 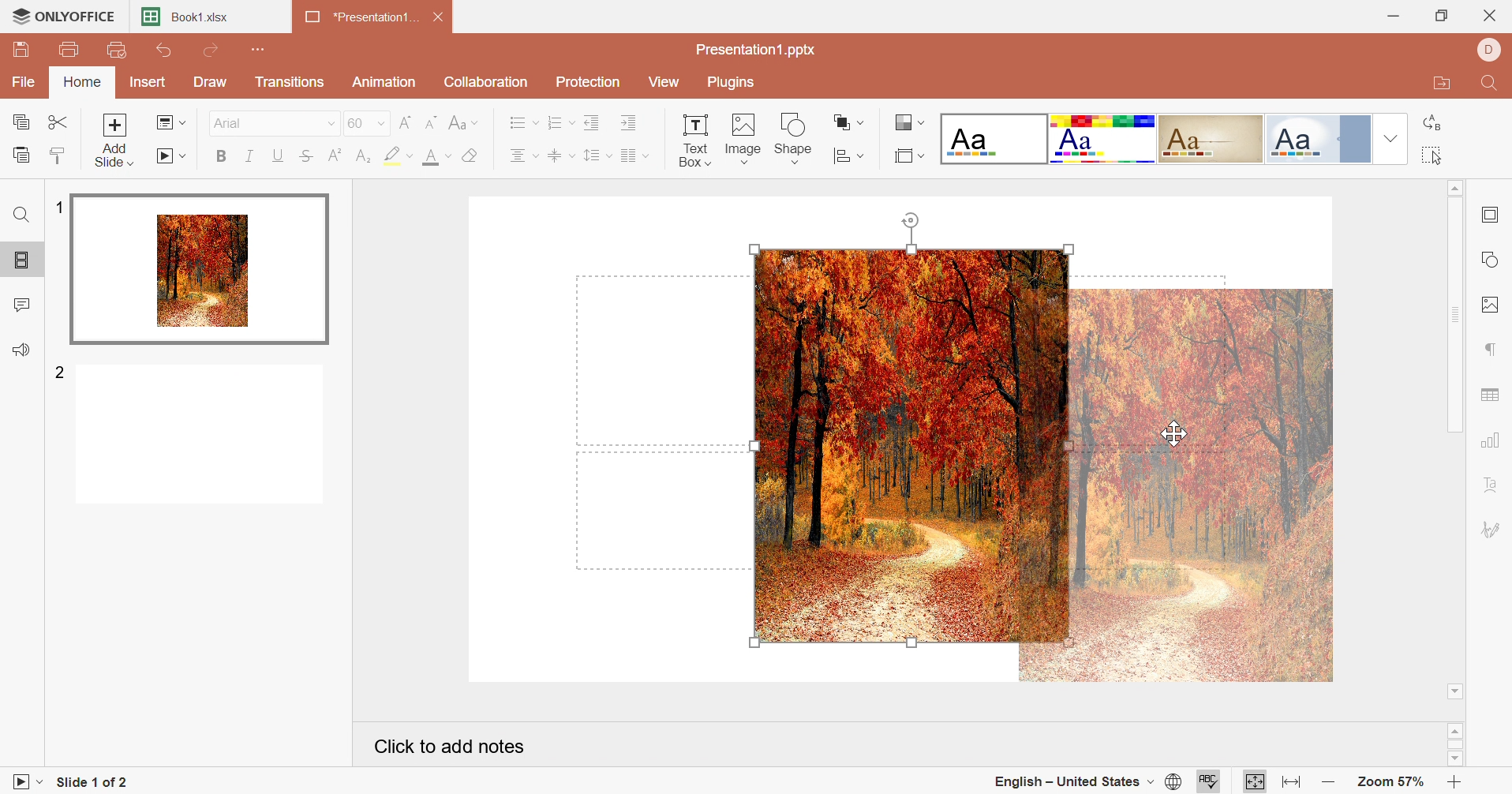 What do you see at coordinates (165, 51) in the screenshot?
I see `Undo` at bounding box center [165, 51].